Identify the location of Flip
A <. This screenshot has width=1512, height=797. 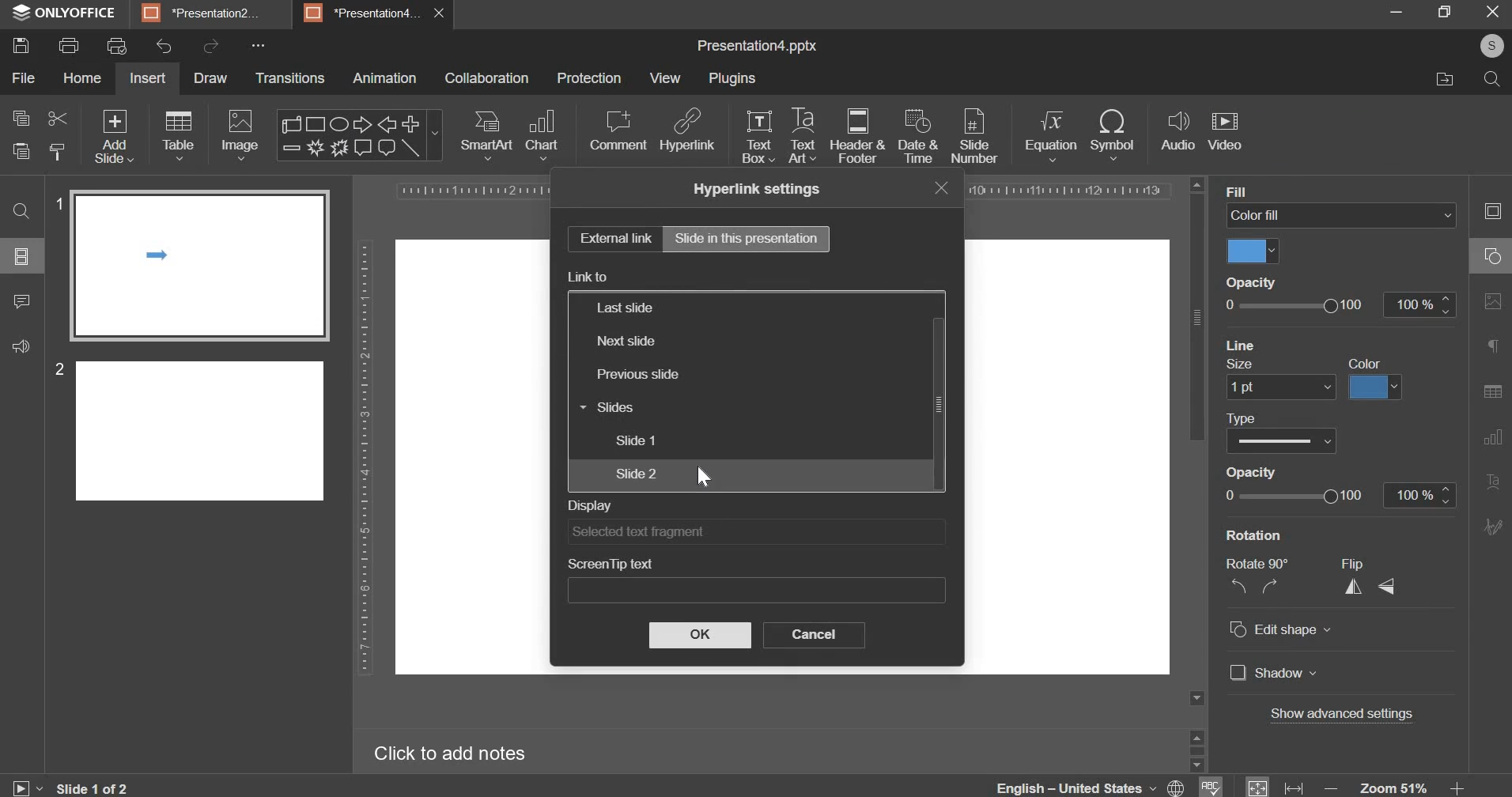
(1370, 582).